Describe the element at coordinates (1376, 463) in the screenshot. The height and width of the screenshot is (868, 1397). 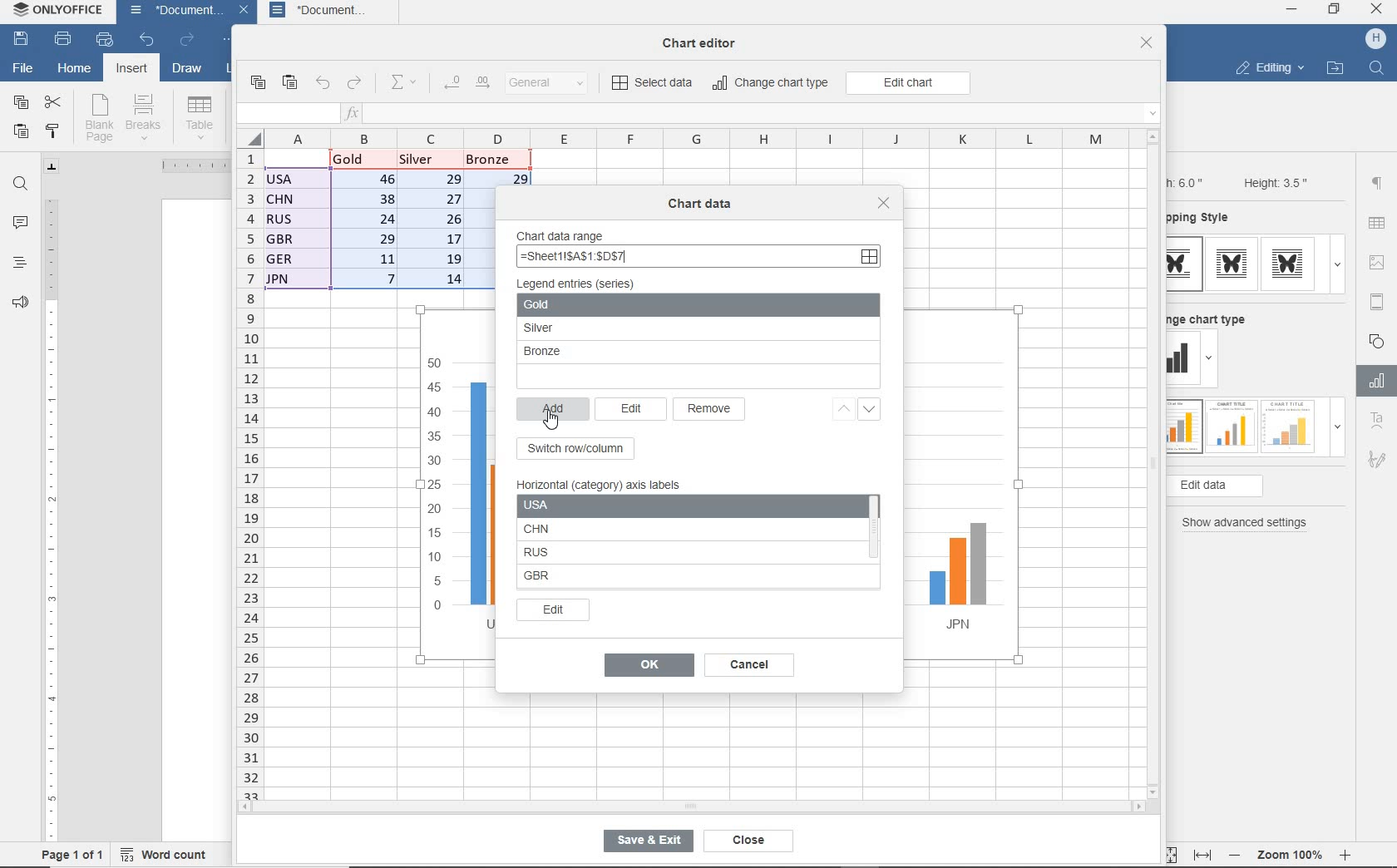
I see `Signature settings` at that location.